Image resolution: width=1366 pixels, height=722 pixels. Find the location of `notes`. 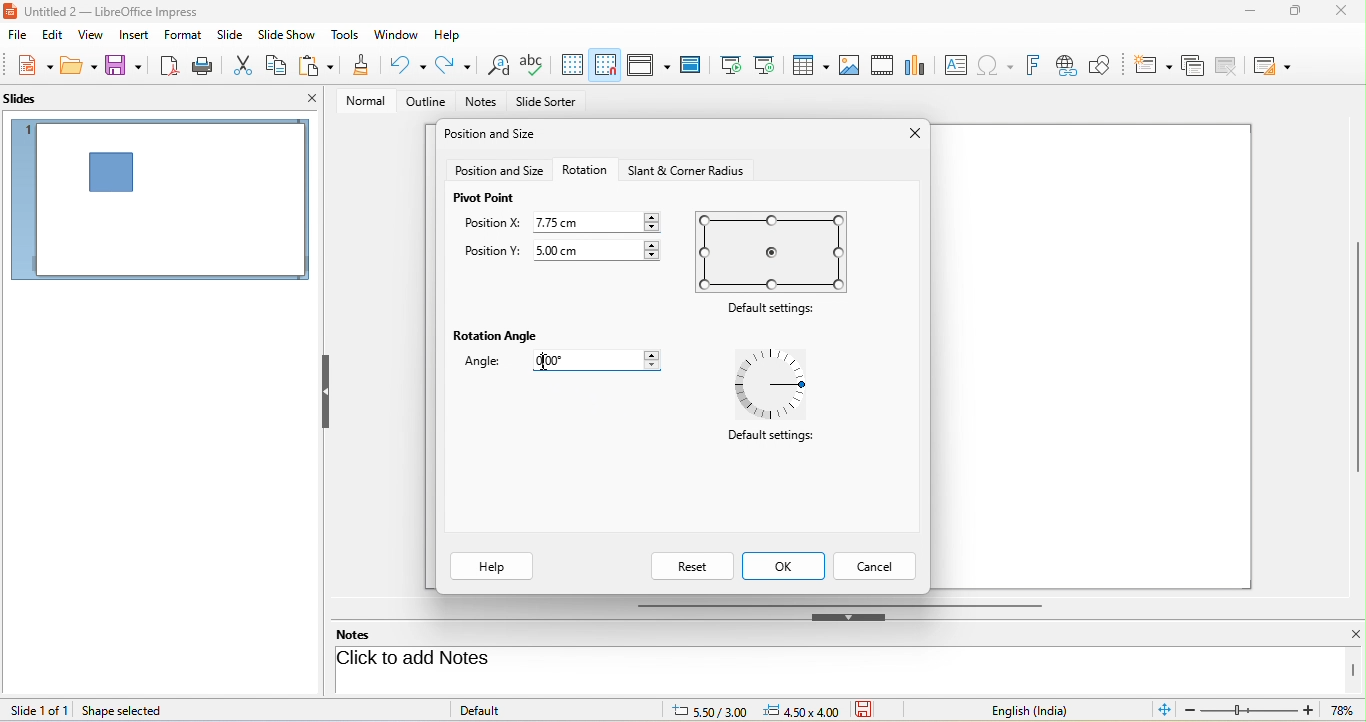

notes is located at coordinates (366, 634).